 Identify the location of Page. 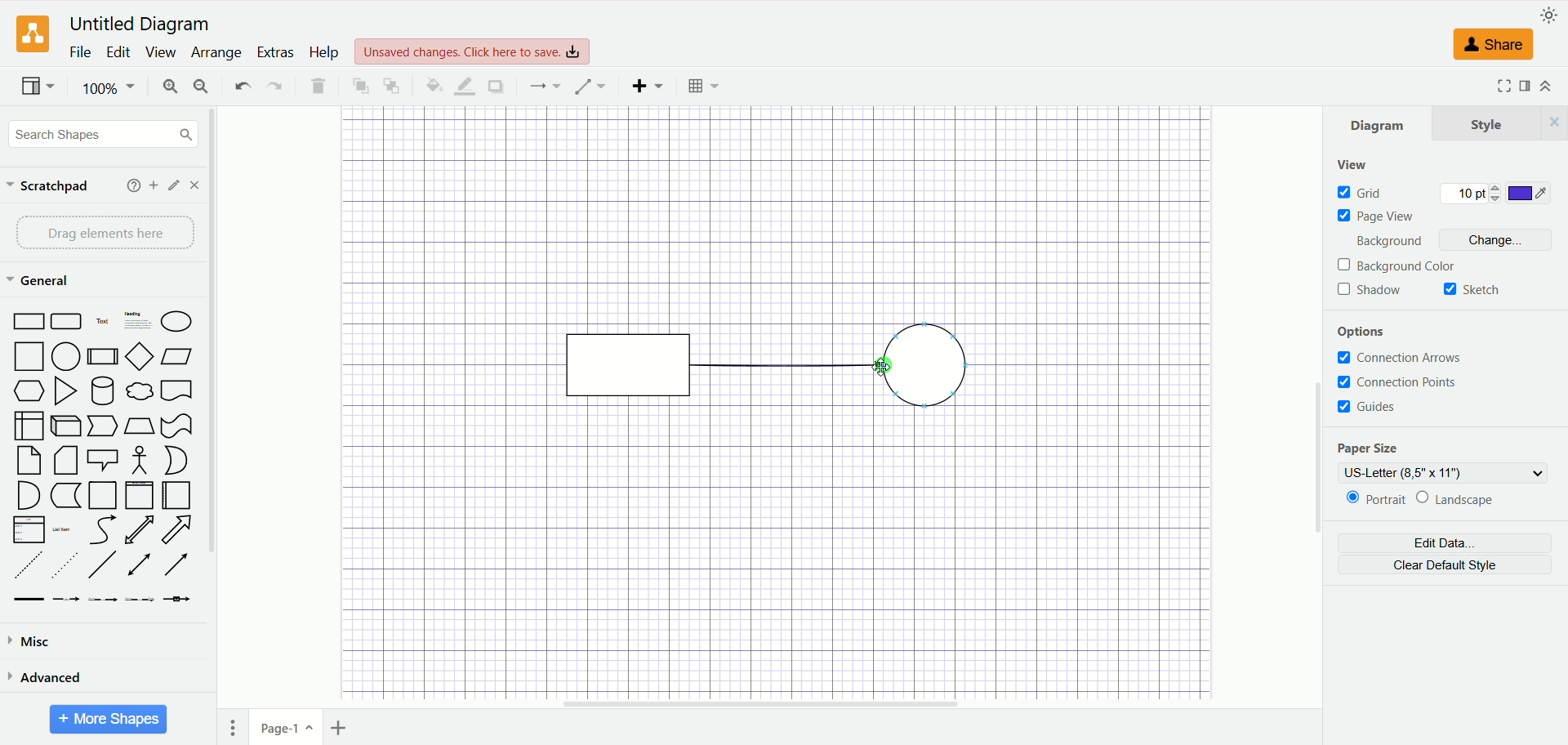
(29, 460).